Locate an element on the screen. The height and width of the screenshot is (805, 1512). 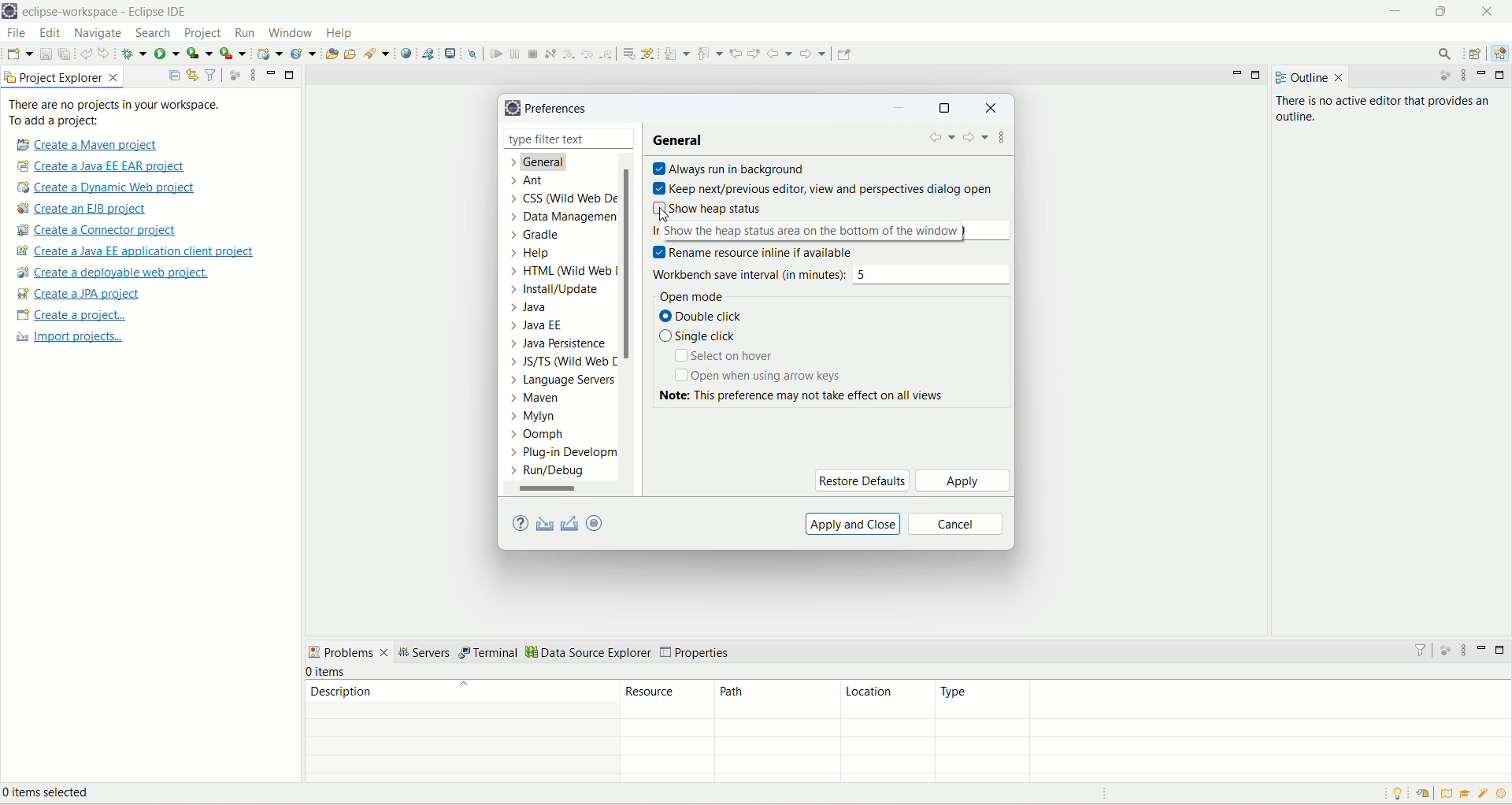
There are no projects in your workspace. To add a project: is located at coordinates (115, 113).